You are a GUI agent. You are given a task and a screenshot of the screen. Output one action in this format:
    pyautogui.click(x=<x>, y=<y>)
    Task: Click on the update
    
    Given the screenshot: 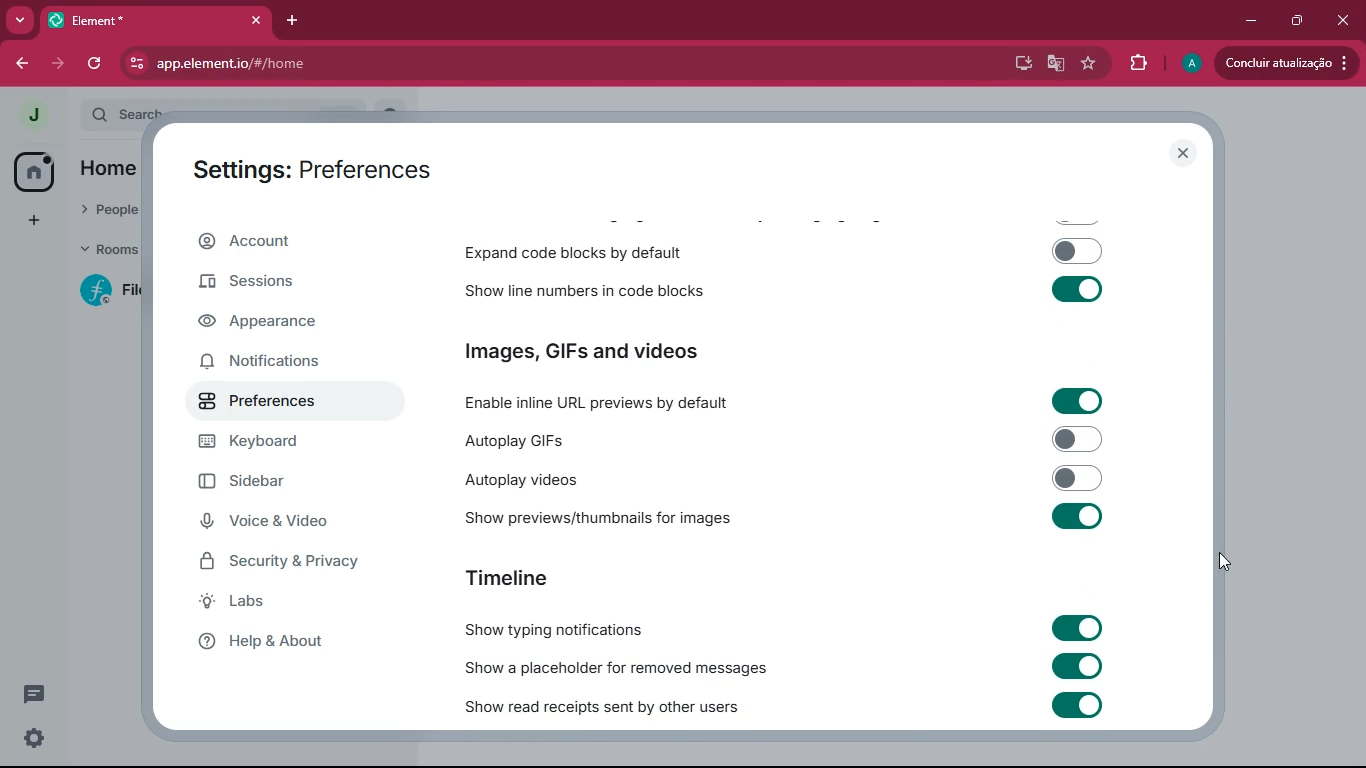 What is the action you would take?
    pyautogui.click(x=1286, y=61)
    